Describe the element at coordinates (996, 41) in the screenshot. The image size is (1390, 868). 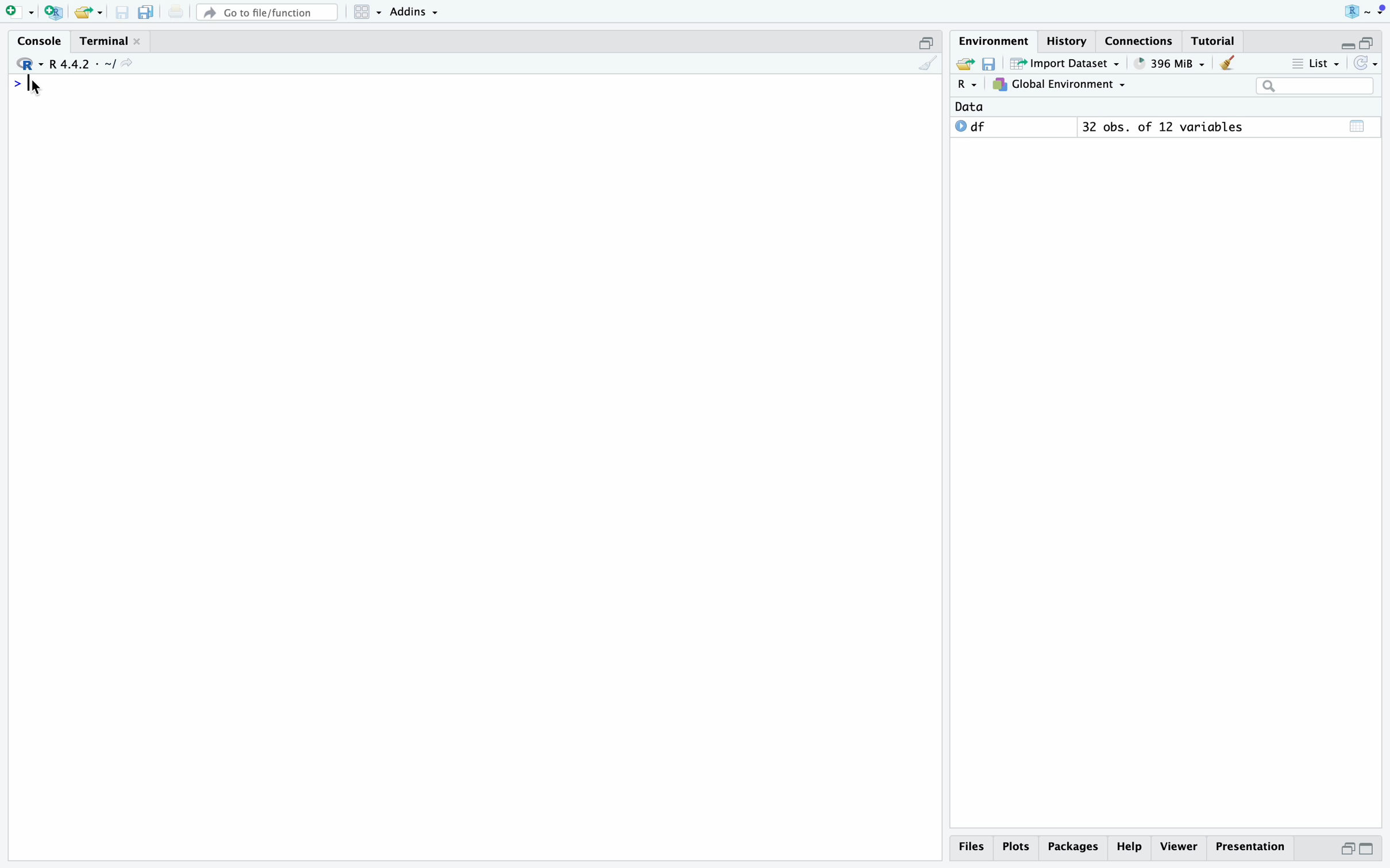
I see `Environment ` at that location.